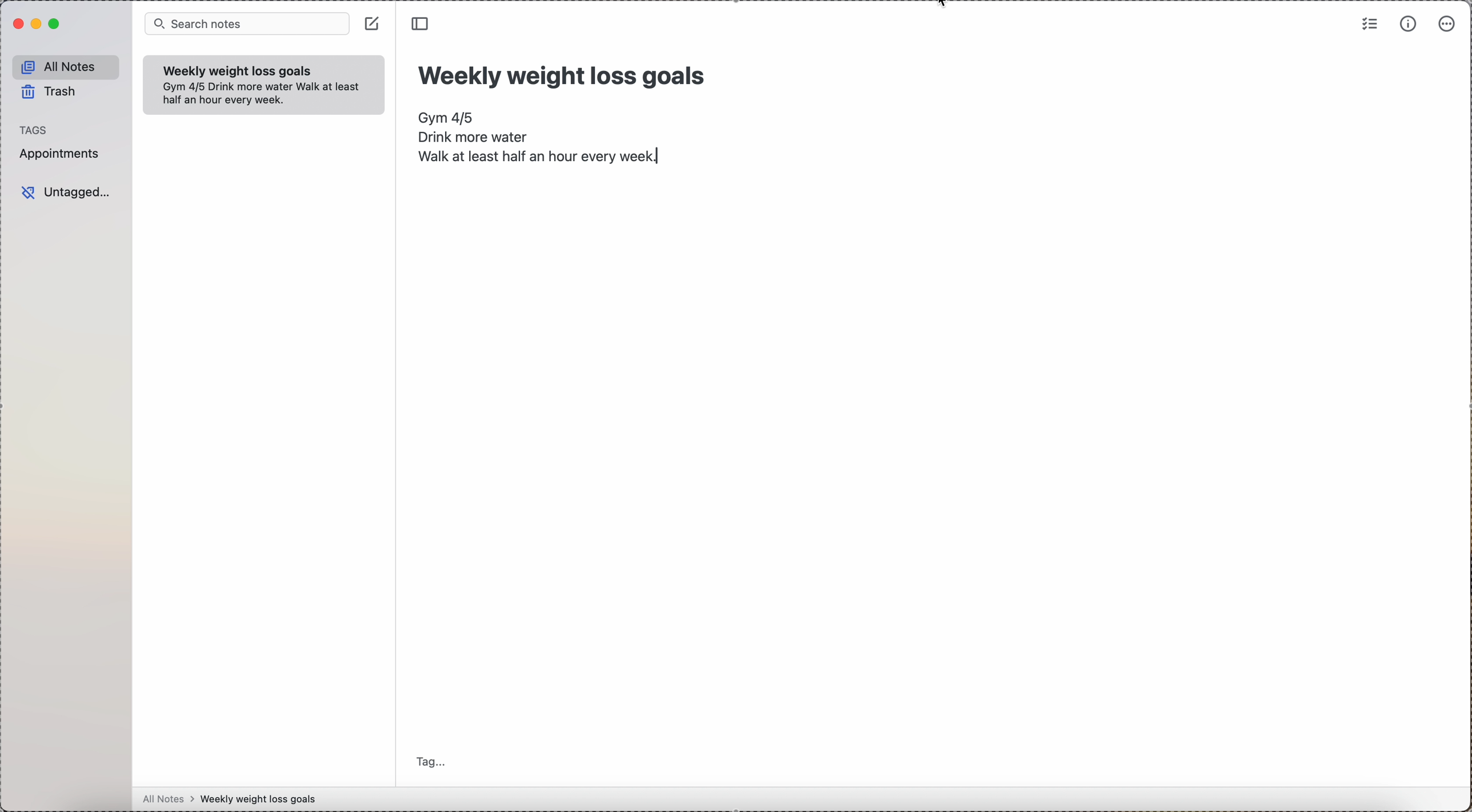 This screenshot has width=1472, height=812. I want to click on Gym 4/5, so click(447, 117).